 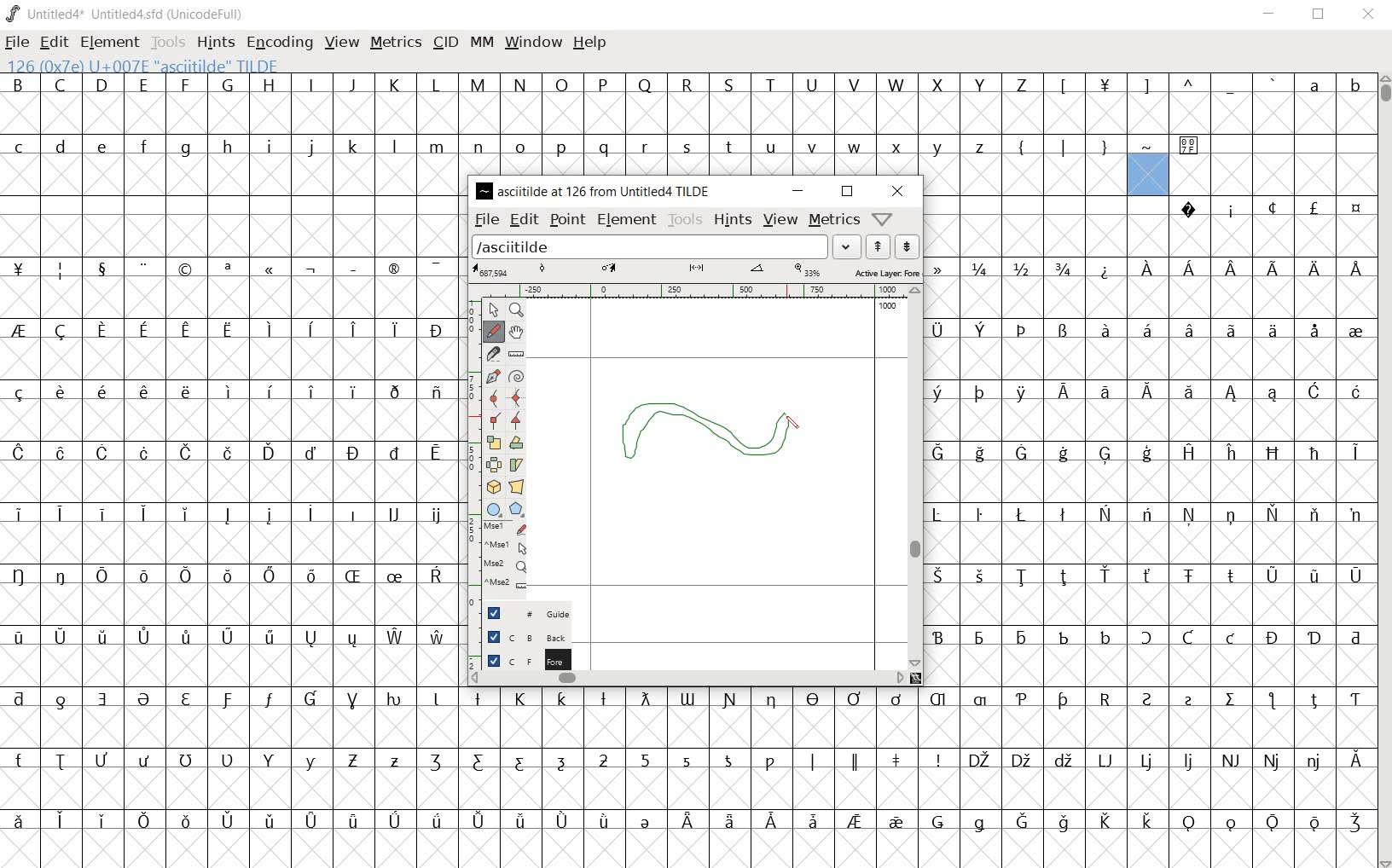 What do you see at coordinates (628, 219) in the screenshot?
I see `element` at bounding box center [628, 219].